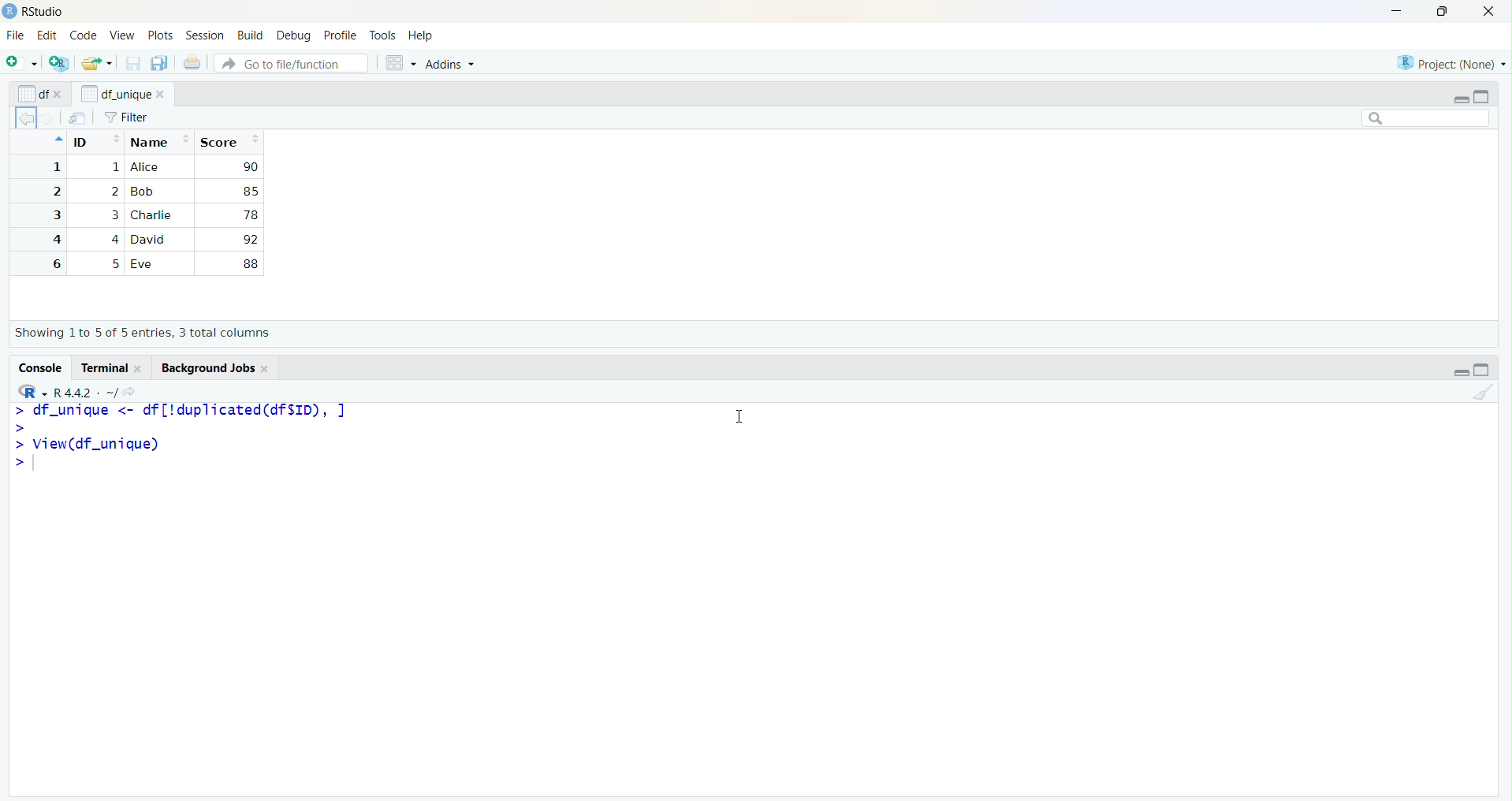 This screenshot has width=1512, height=801. What do you see at coordinates (400, 63) in the screenshot?
I see `view options` at bounding box center [400, 63].